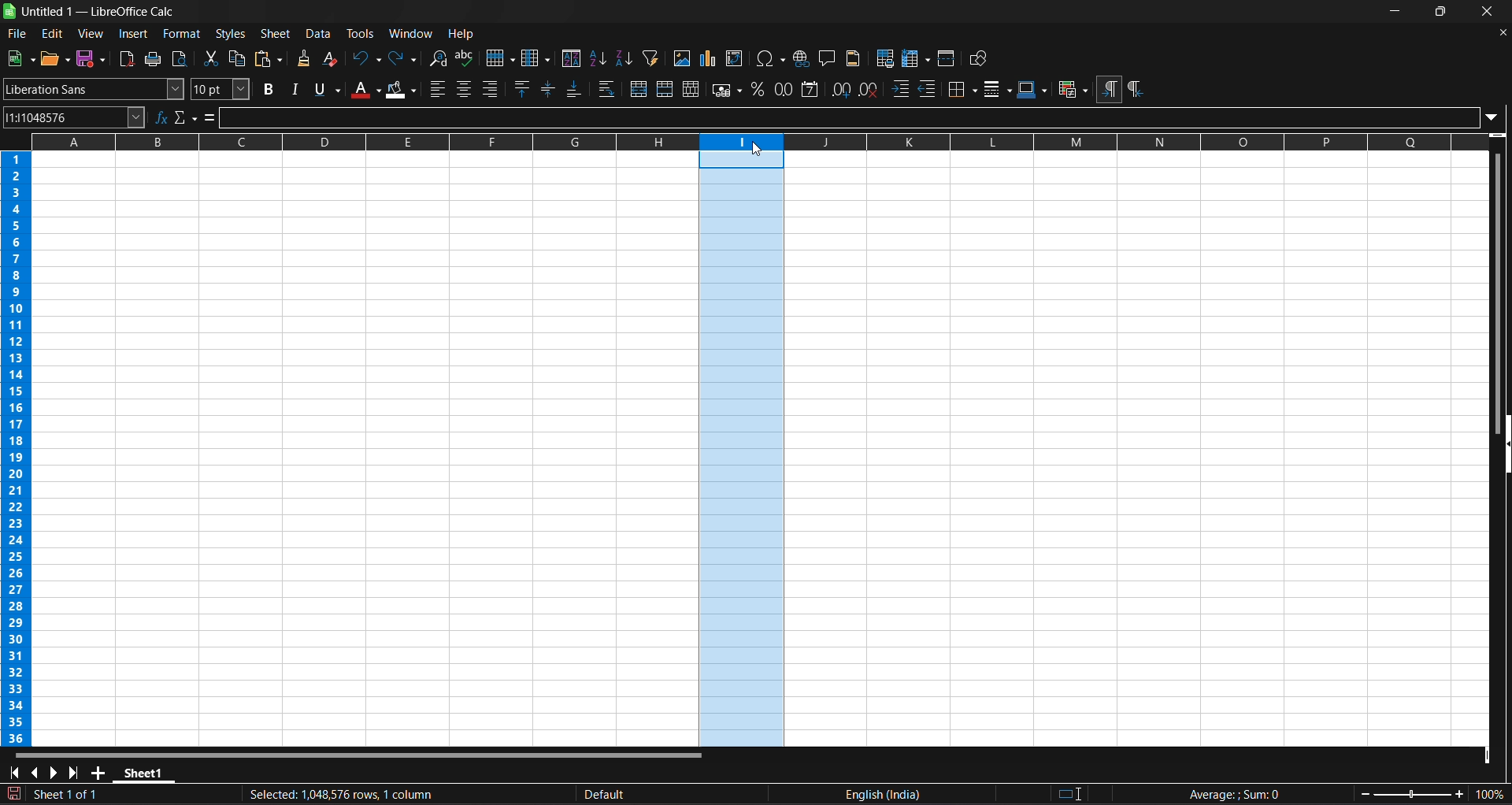 This screenshot has height=805, width=1512. I want to click on align top, so click(523, 89).